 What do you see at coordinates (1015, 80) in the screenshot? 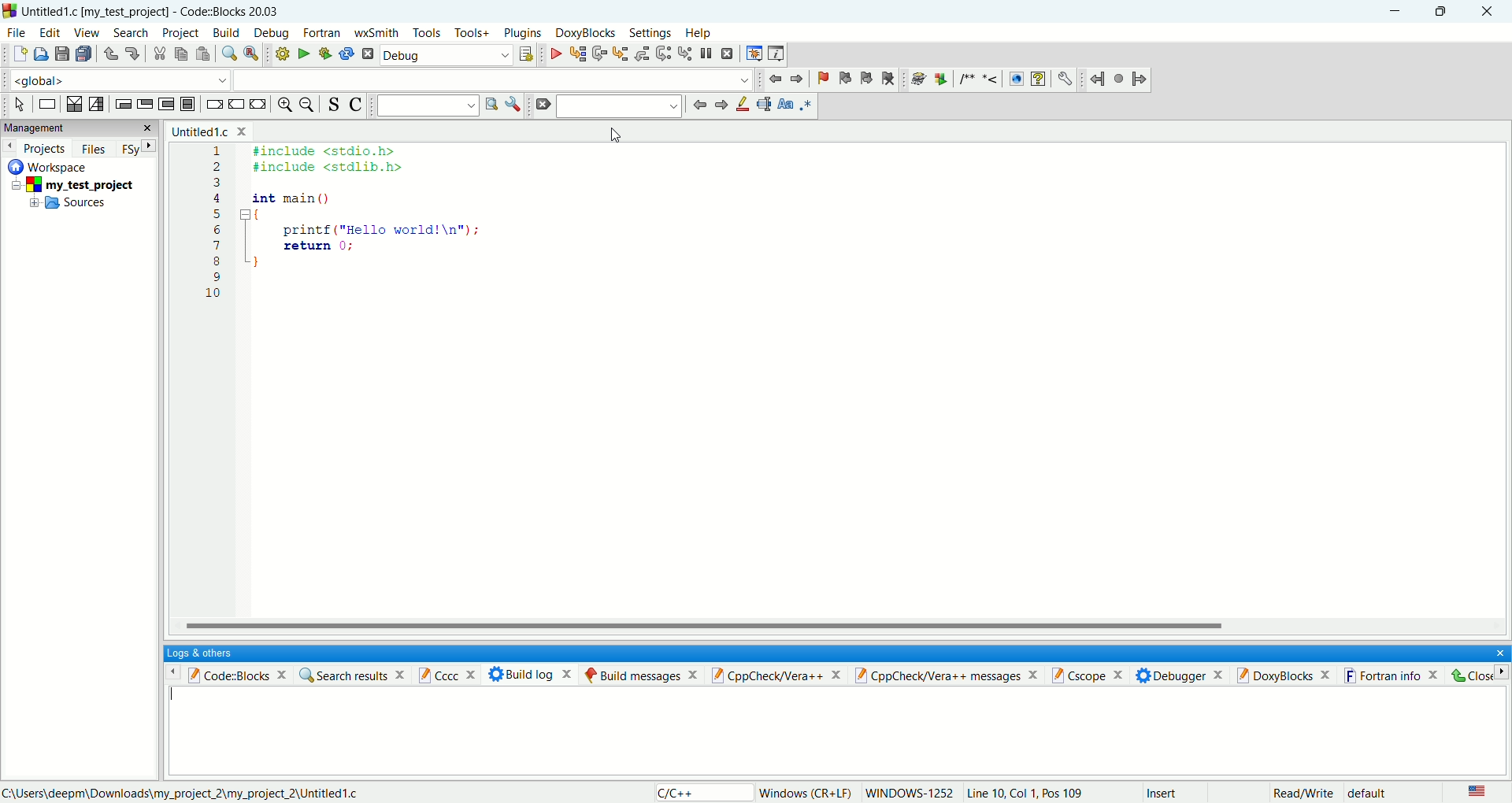
I see `HTML` at bounding box center [1015, 80].